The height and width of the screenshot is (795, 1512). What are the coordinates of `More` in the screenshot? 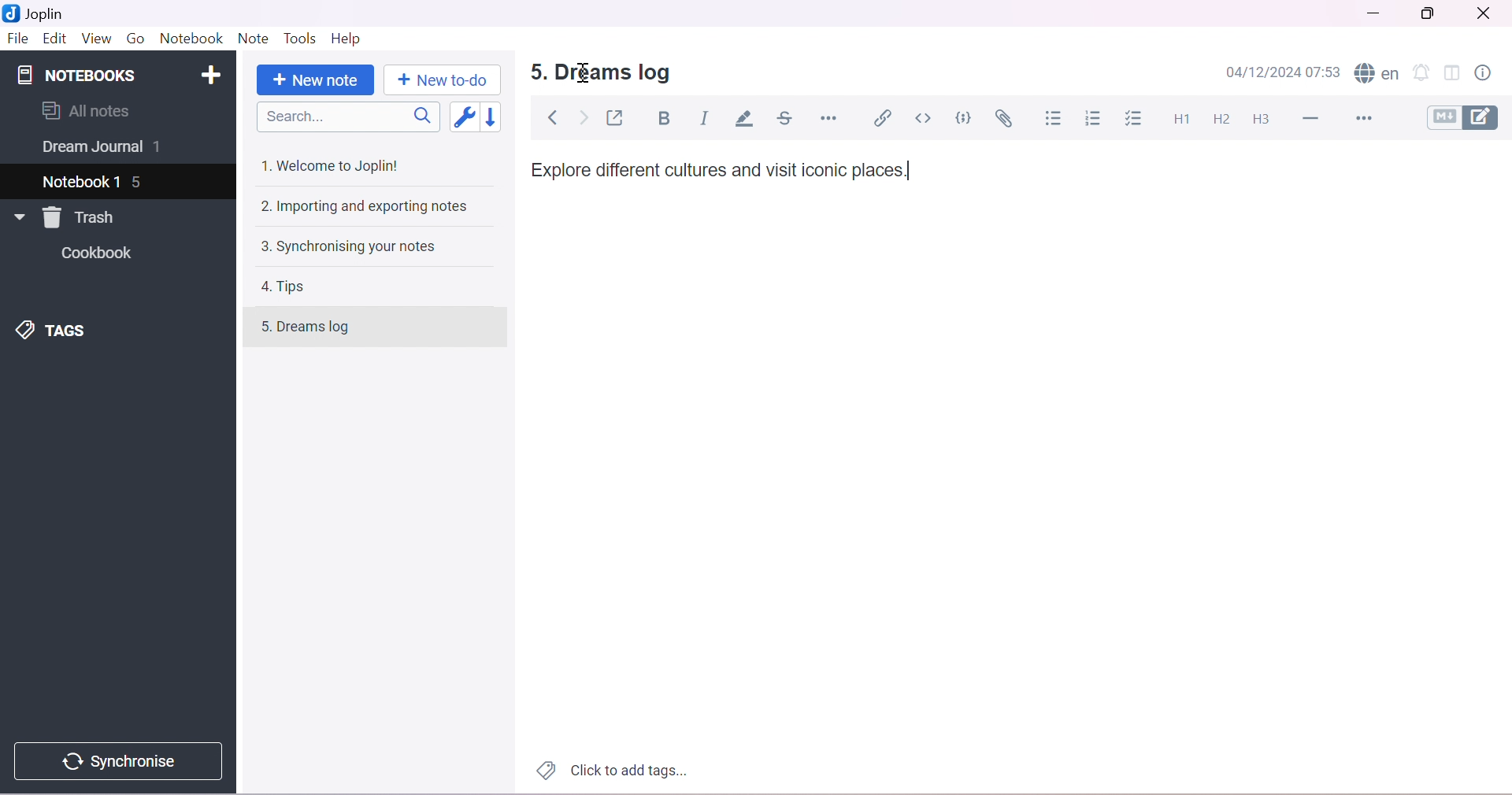 It's located at (1368, 120).